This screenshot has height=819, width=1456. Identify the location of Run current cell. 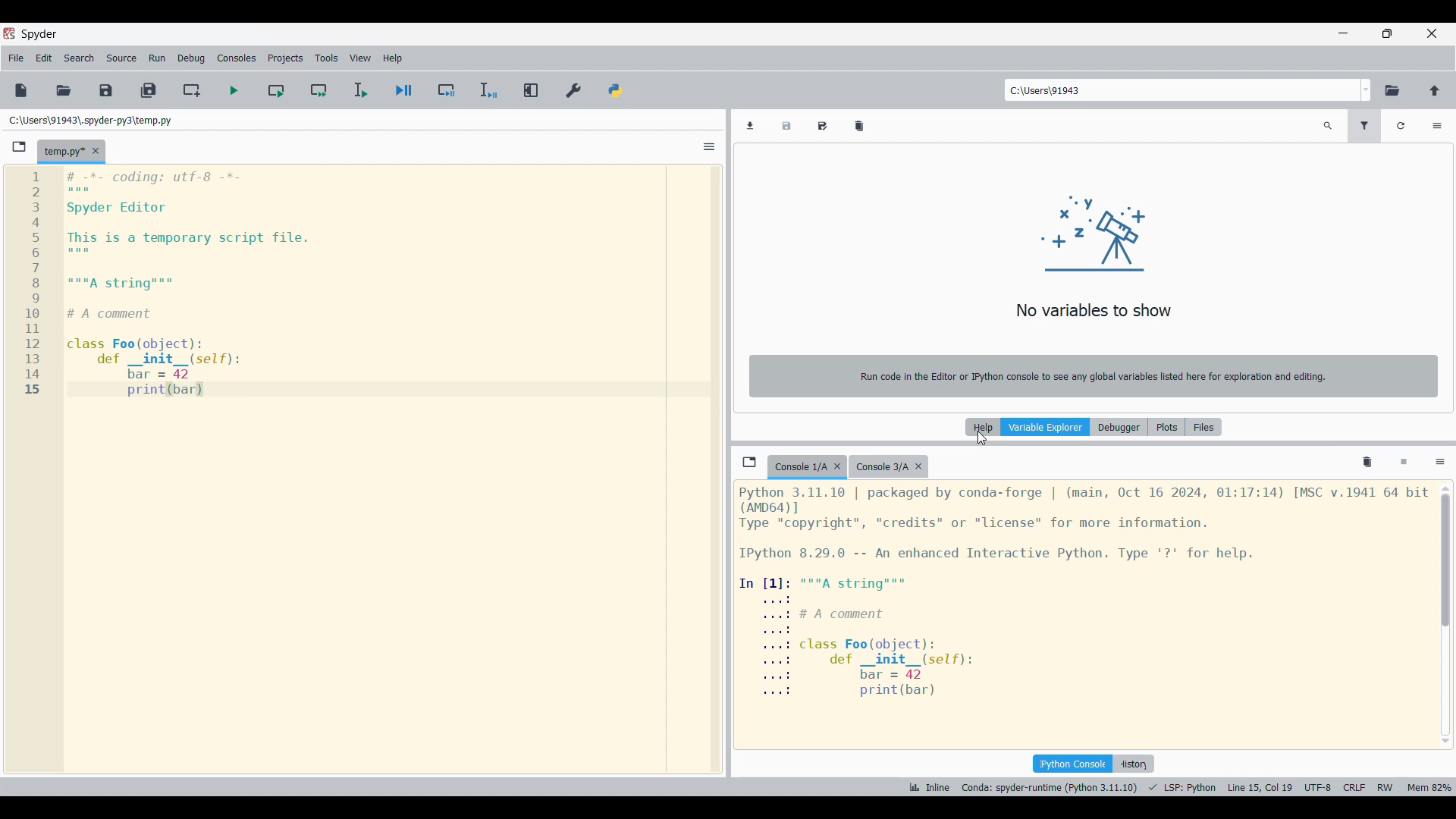
(277, 90).